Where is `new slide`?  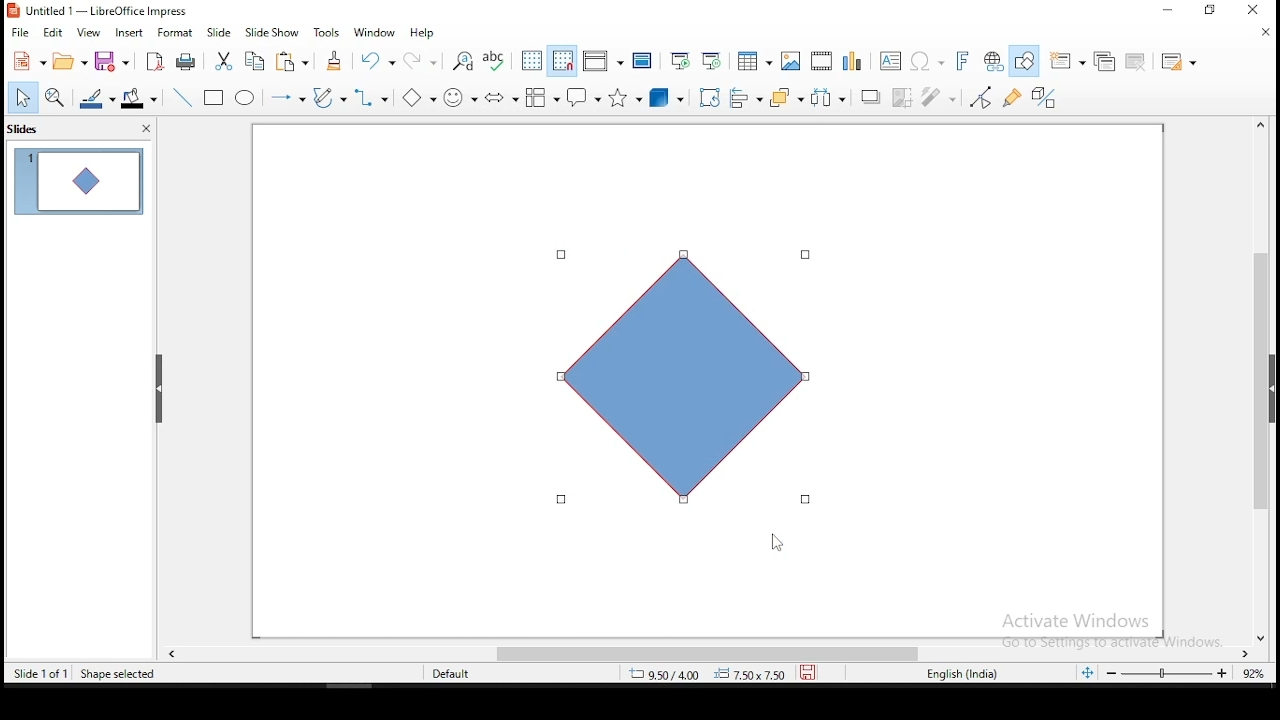
new slide is located at coordinates (1066, 60).